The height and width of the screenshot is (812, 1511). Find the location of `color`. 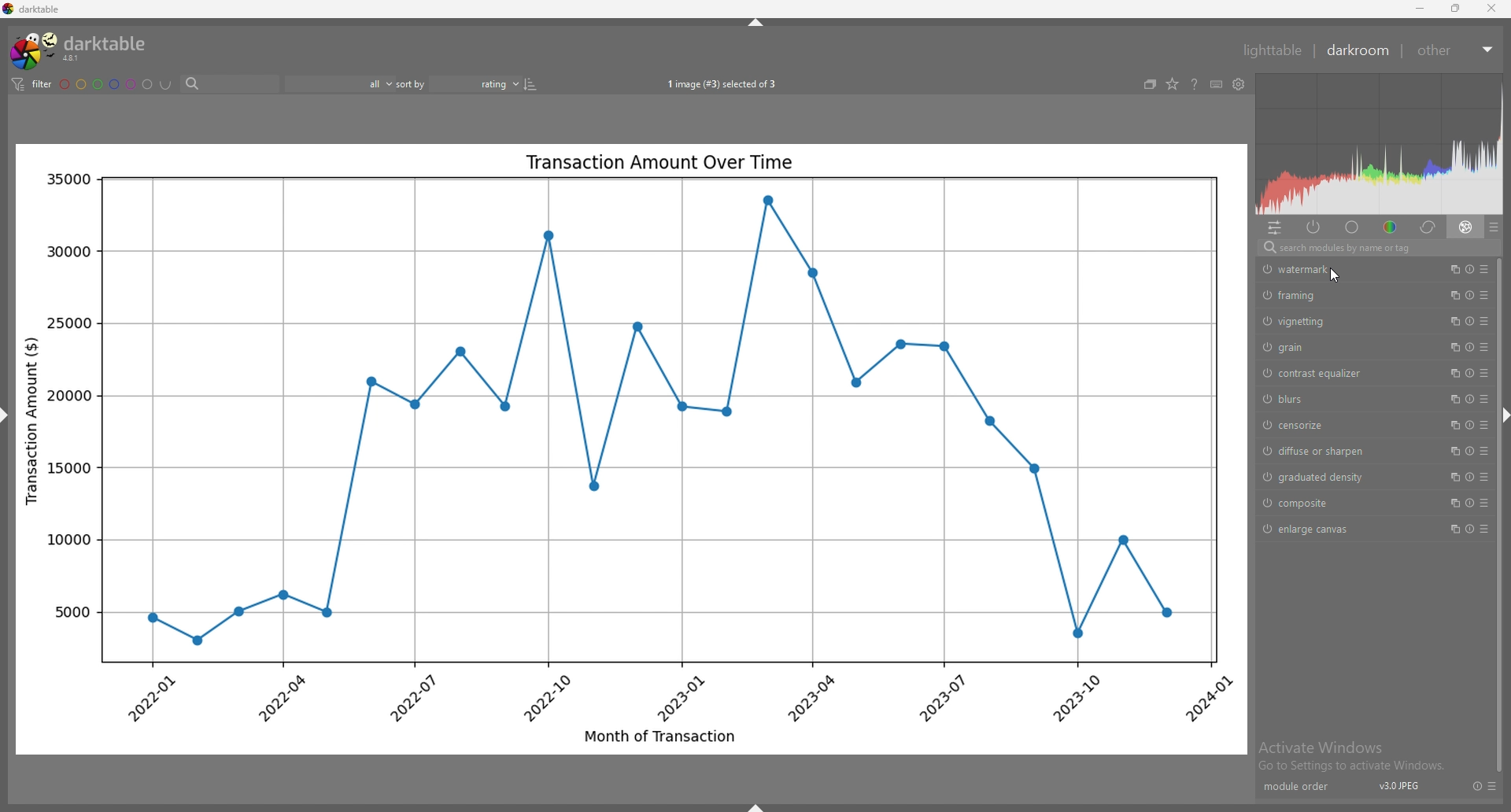

color is located at coordinates (1387, 227).